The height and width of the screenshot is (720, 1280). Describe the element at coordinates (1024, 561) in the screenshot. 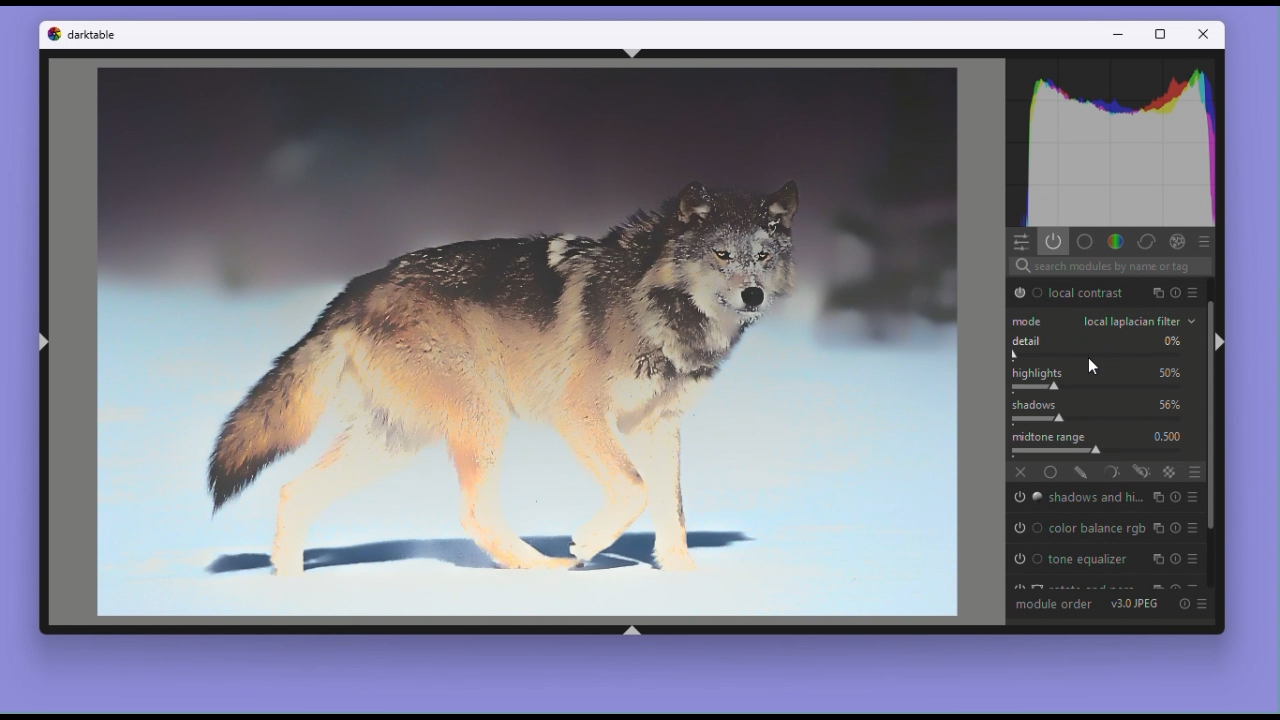

I see `'tone equalizer' is switched off` at that location.